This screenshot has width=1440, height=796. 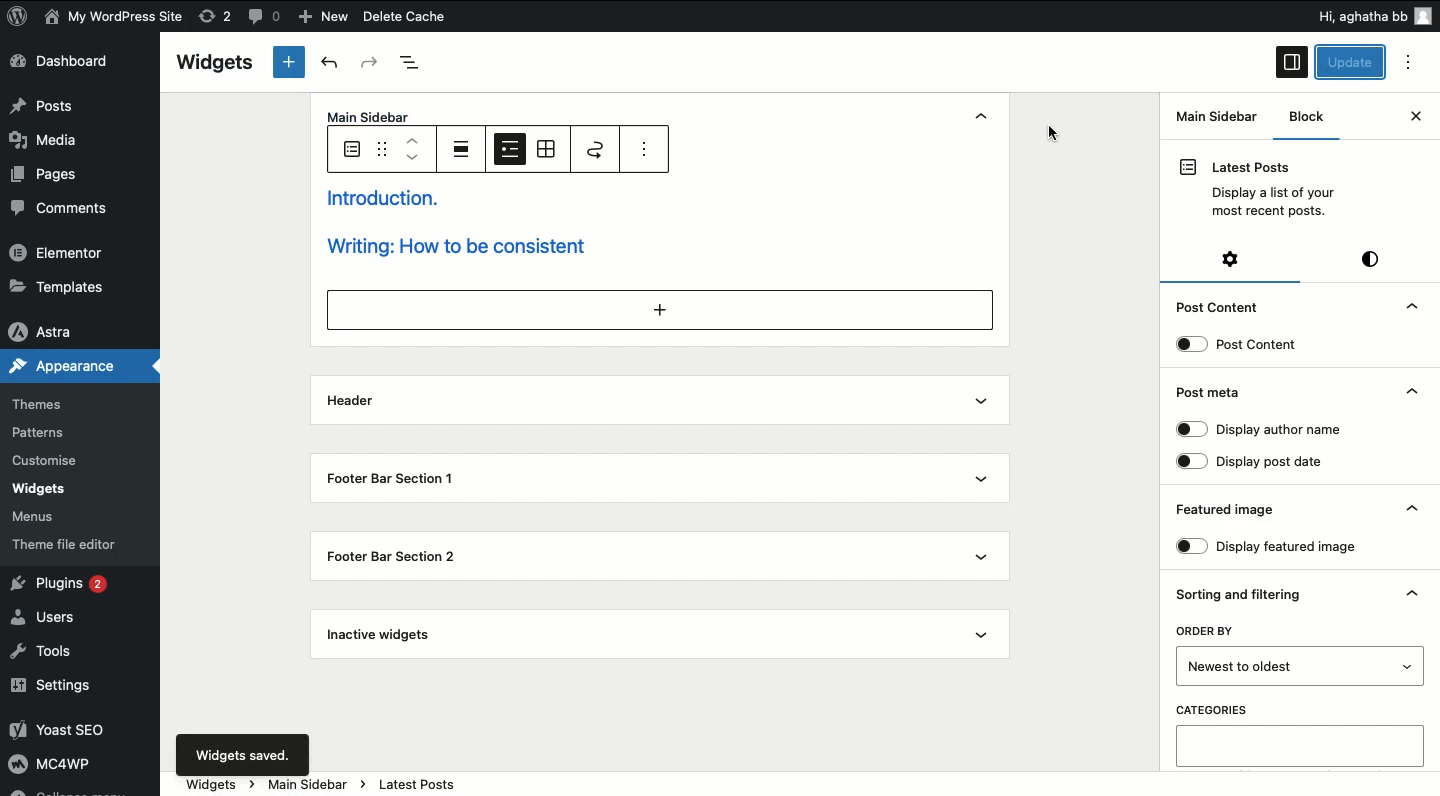 What do you see at coordinates (383, 148) in the screenshot?
I see `Drag` at bounding box center [383, 148].